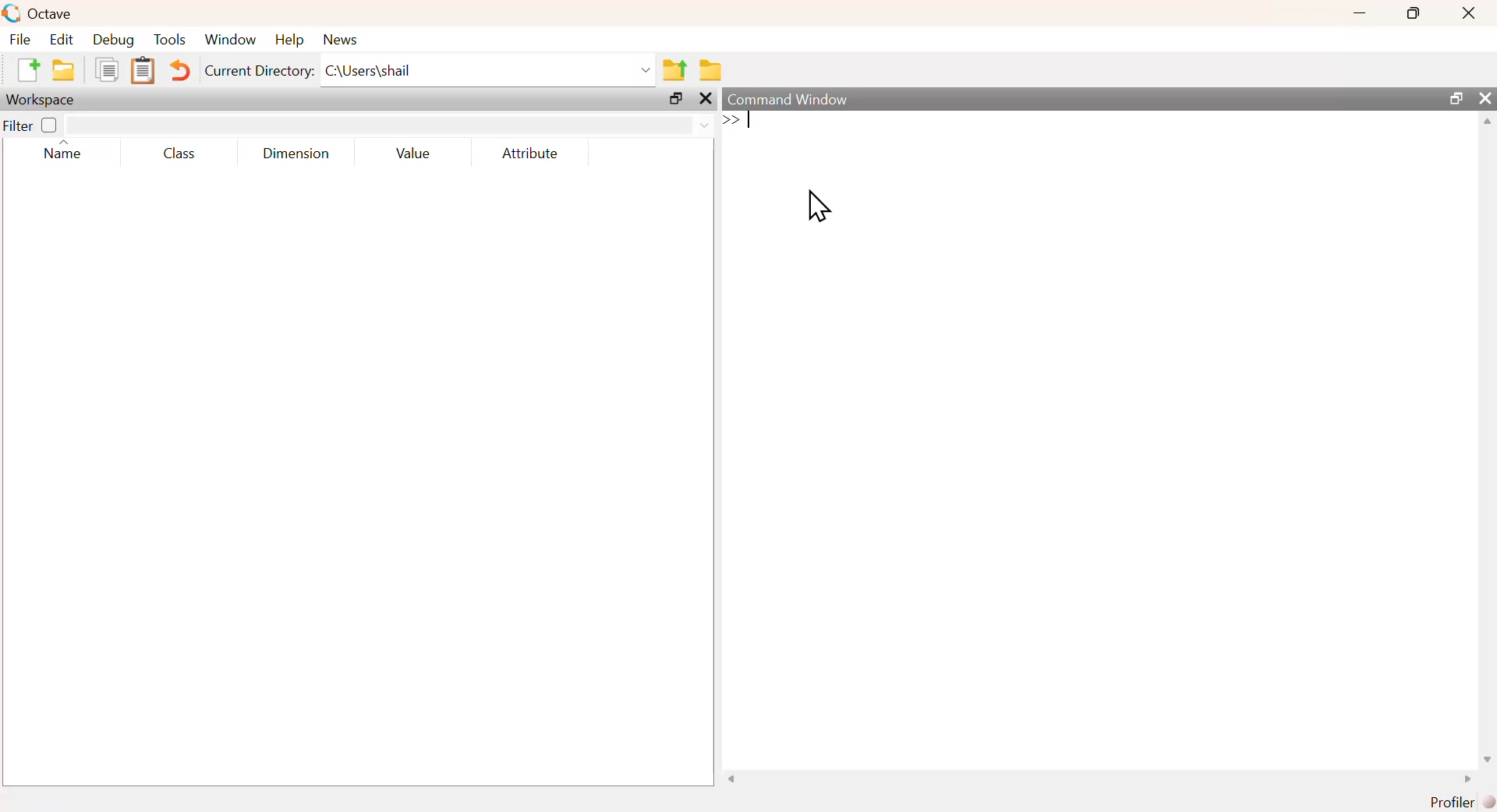  Describe the element at coordinates (819, 206) in the screenshot. I see `cursor` at that location.